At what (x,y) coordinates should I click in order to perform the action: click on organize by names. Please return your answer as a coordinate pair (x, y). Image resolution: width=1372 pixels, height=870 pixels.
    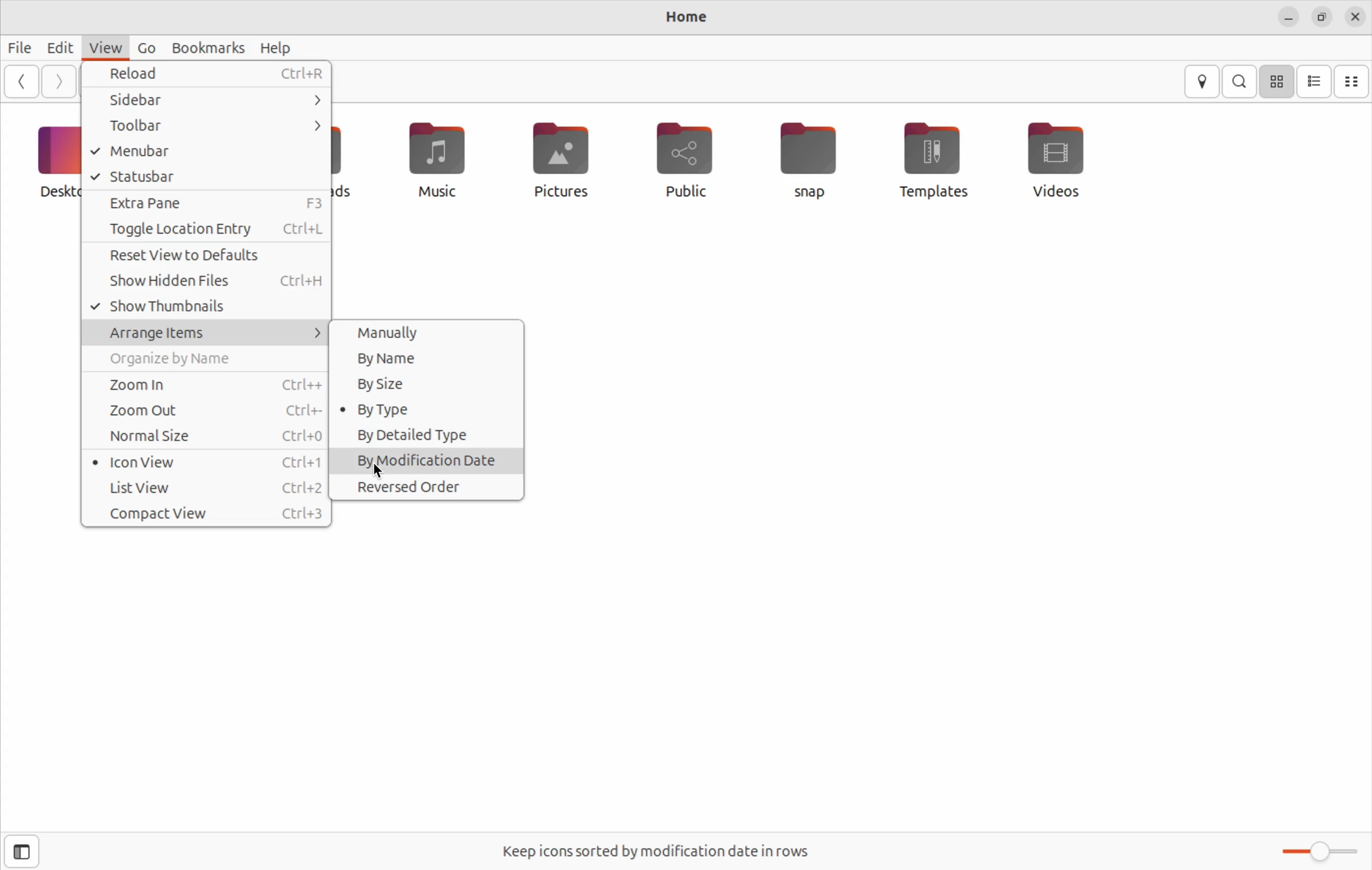
    Looking at the image, I should click on (210, 360).